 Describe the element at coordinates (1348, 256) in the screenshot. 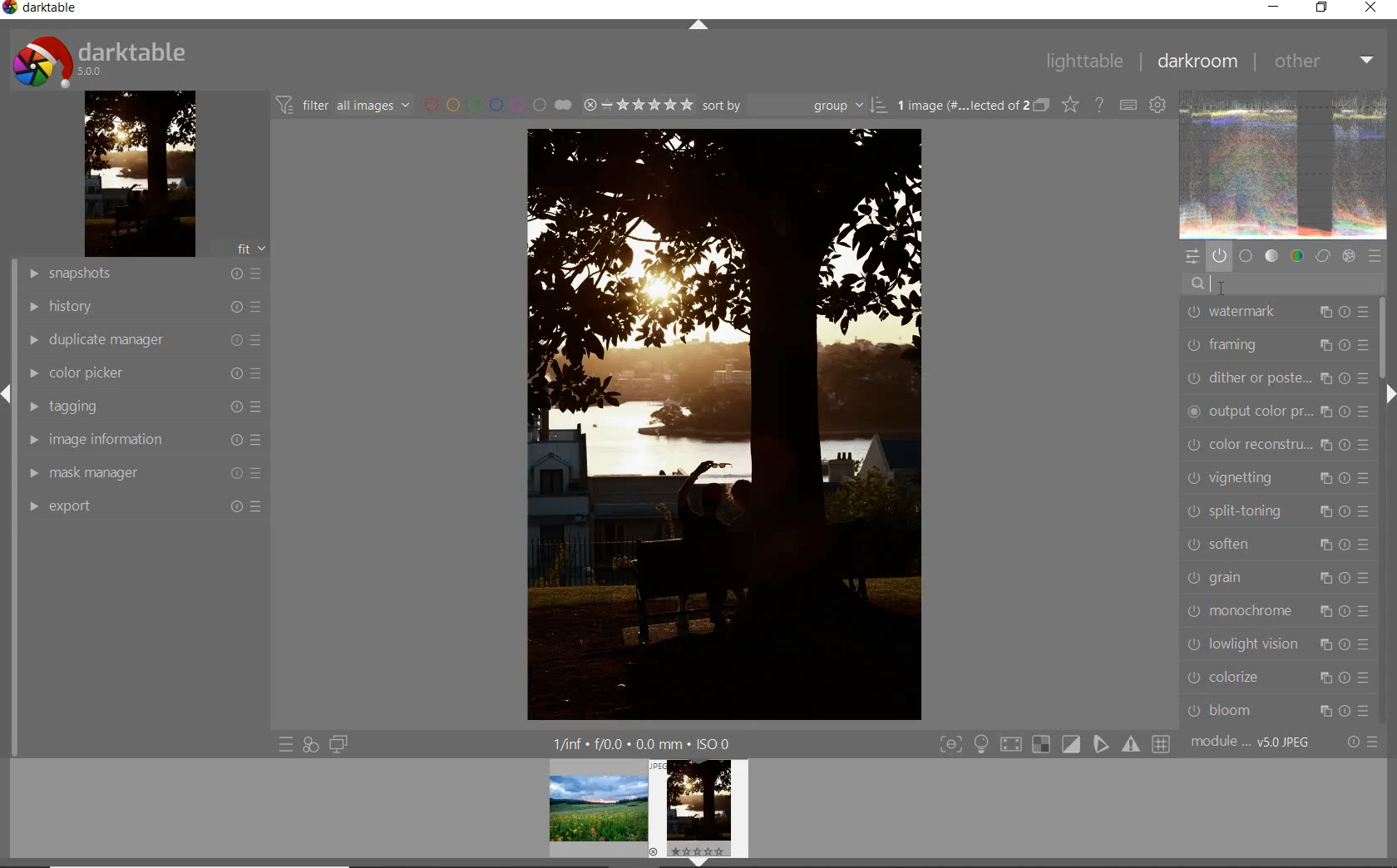

I see `effect` at that location.